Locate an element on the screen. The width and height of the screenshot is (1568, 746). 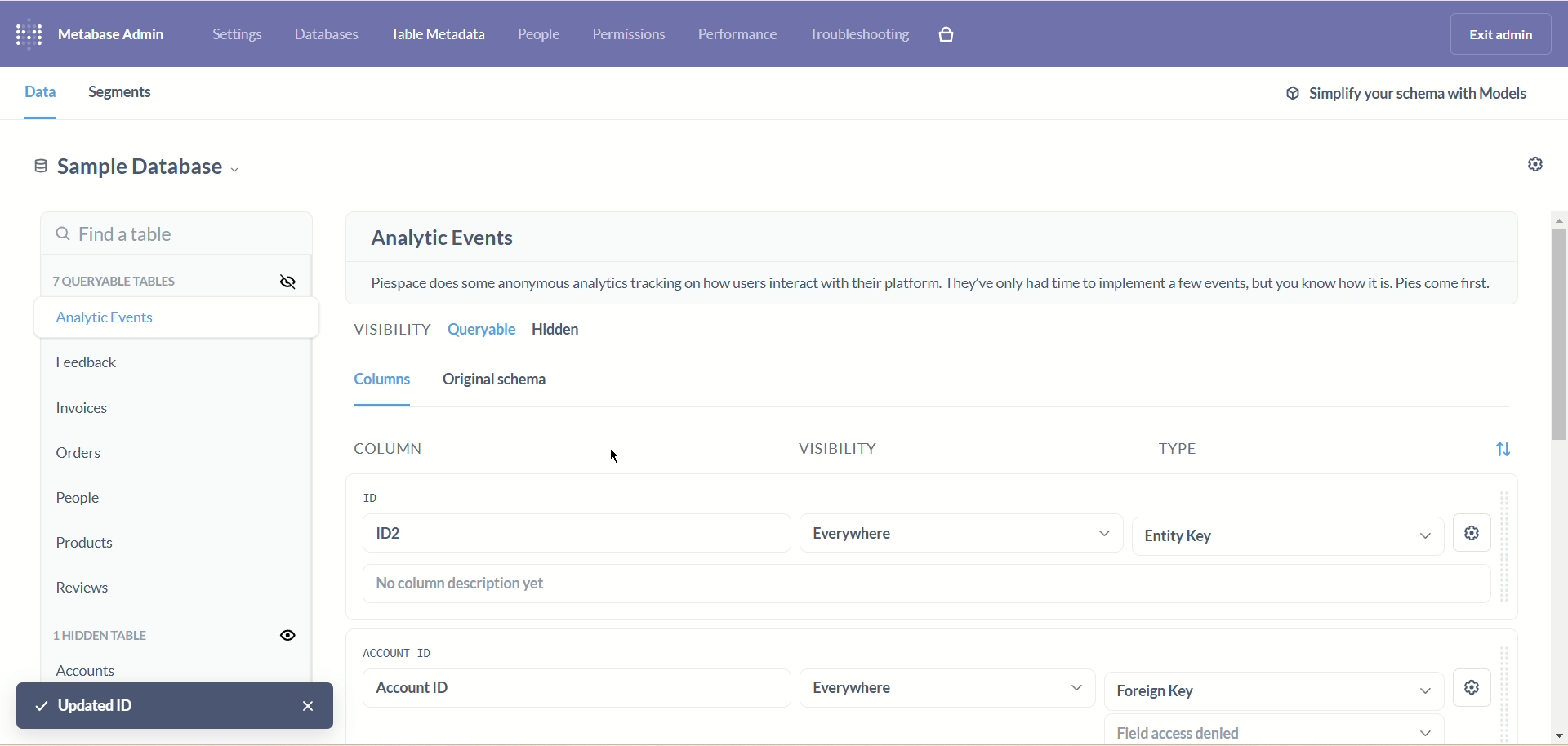
curosor is located at coordinates (615, 456).